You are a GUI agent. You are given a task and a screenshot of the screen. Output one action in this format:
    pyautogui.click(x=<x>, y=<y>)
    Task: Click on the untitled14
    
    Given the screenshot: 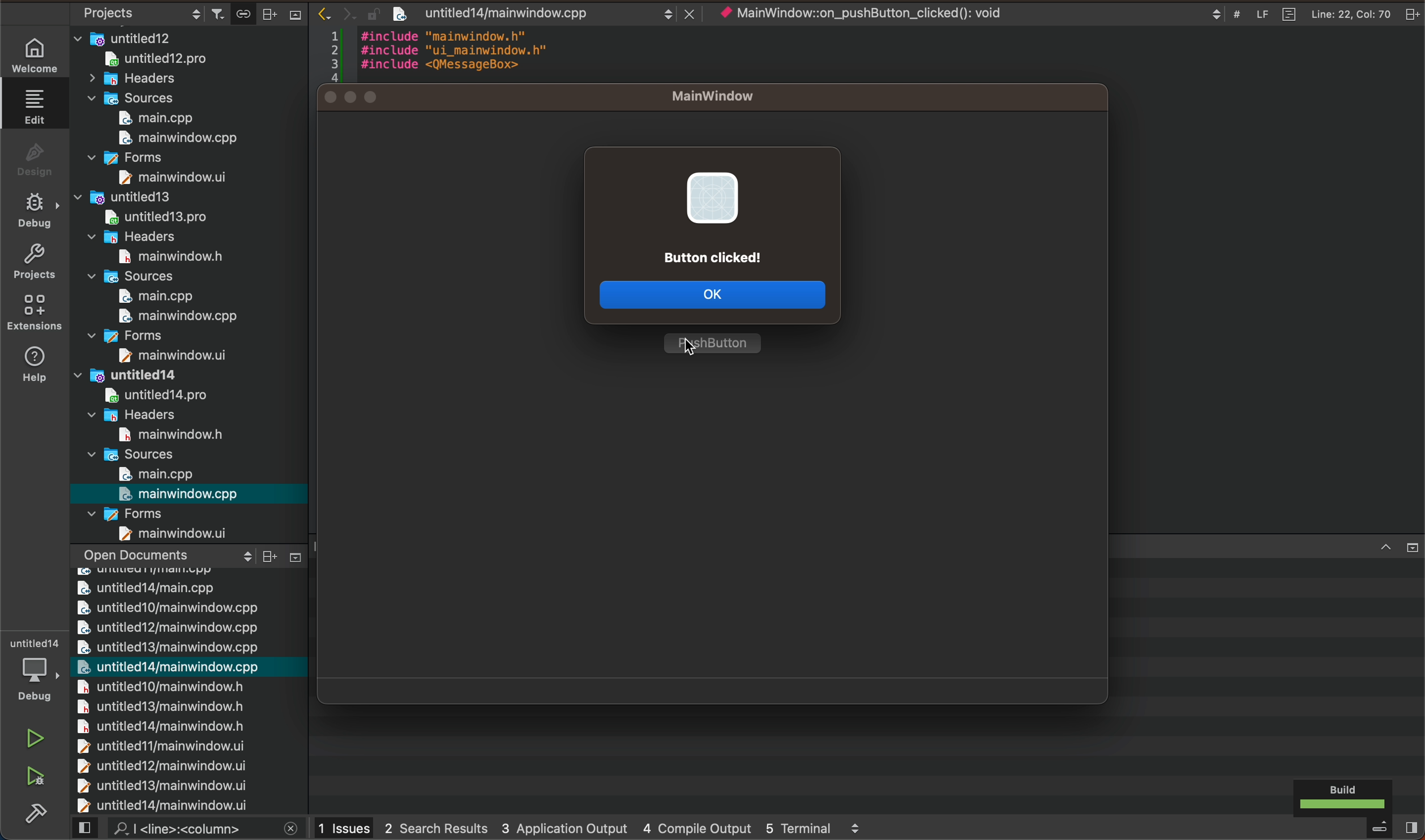 What is the action you would take?
    pyautogui.click(x=148, y=374)
    